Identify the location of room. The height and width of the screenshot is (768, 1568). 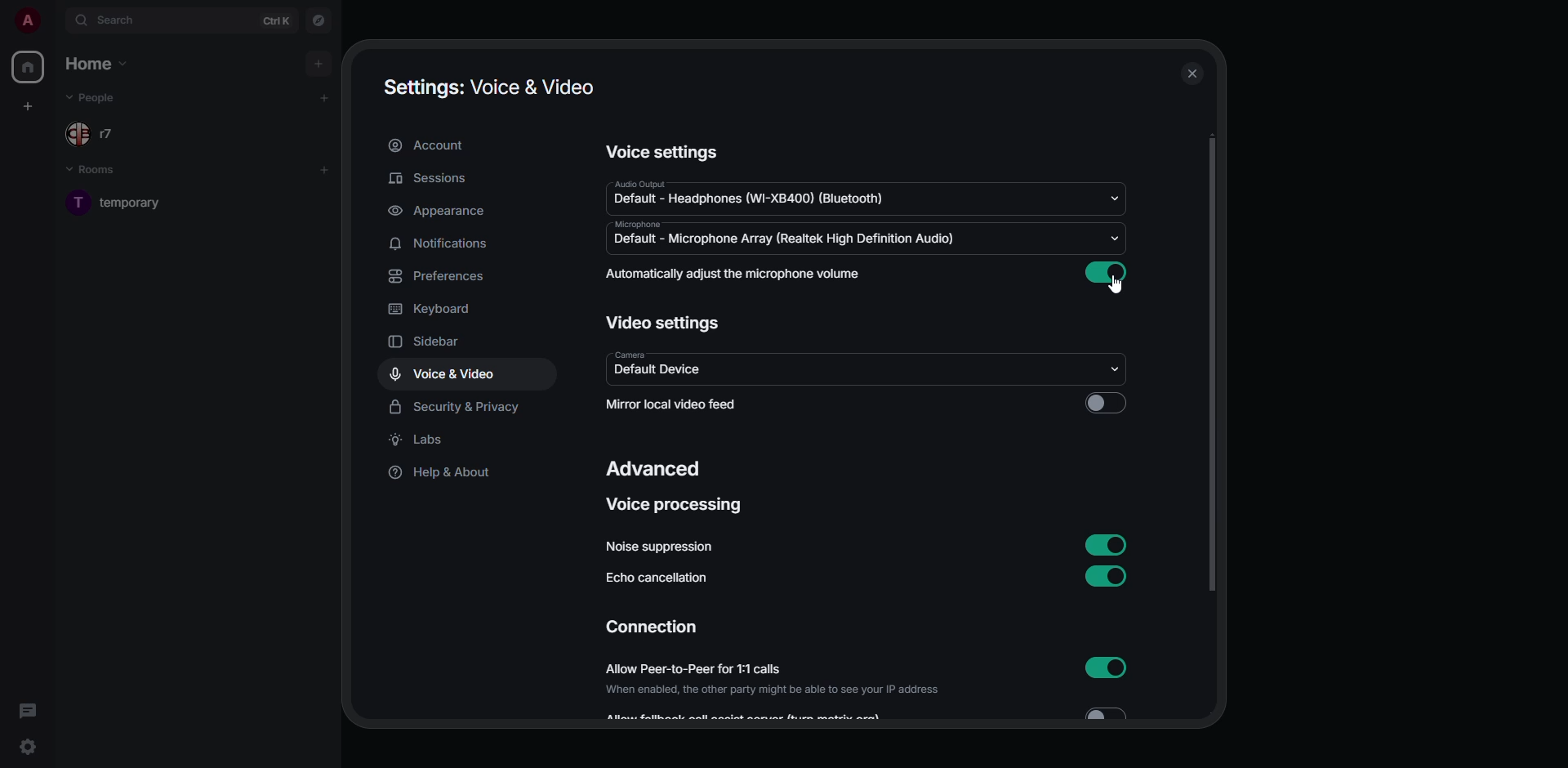
(138, 203).